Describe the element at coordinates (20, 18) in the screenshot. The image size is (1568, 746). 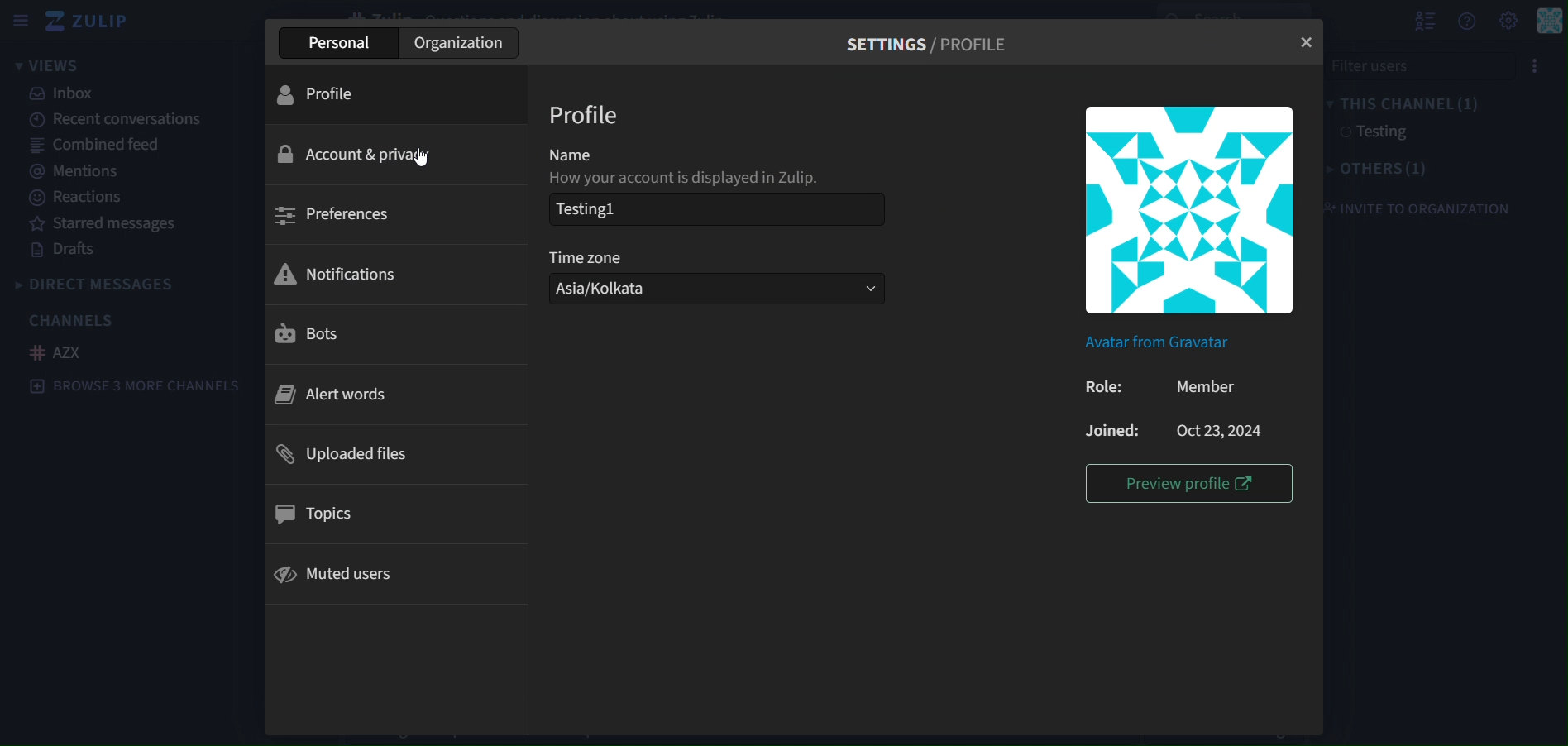
I see `sidebar` at that location.